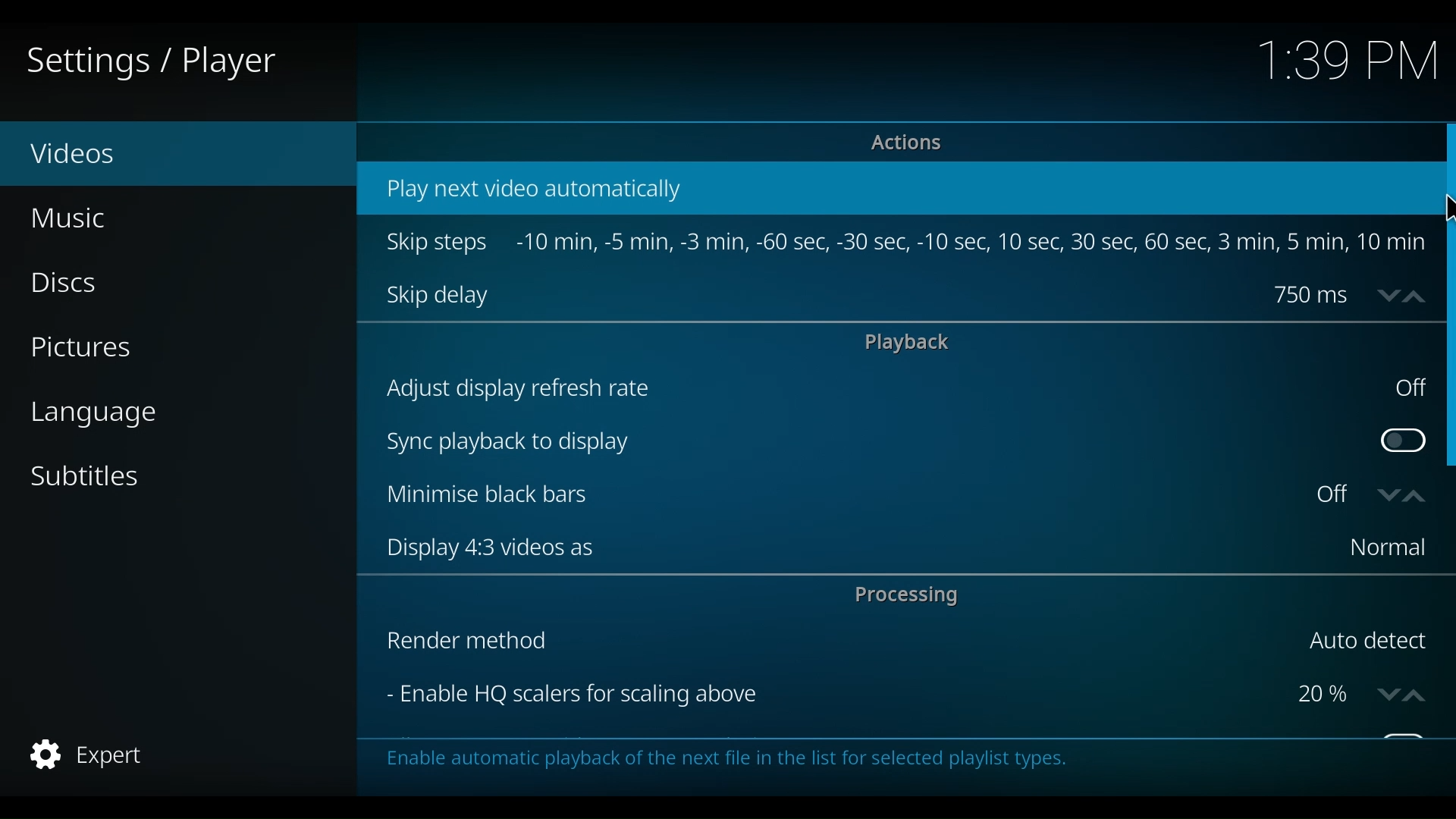 The width and height of the screenshot is (1456, 819). What do you see at coordinates (830, 642) in the screenshot?
I see `Render method` at bounding box center [830, 642].